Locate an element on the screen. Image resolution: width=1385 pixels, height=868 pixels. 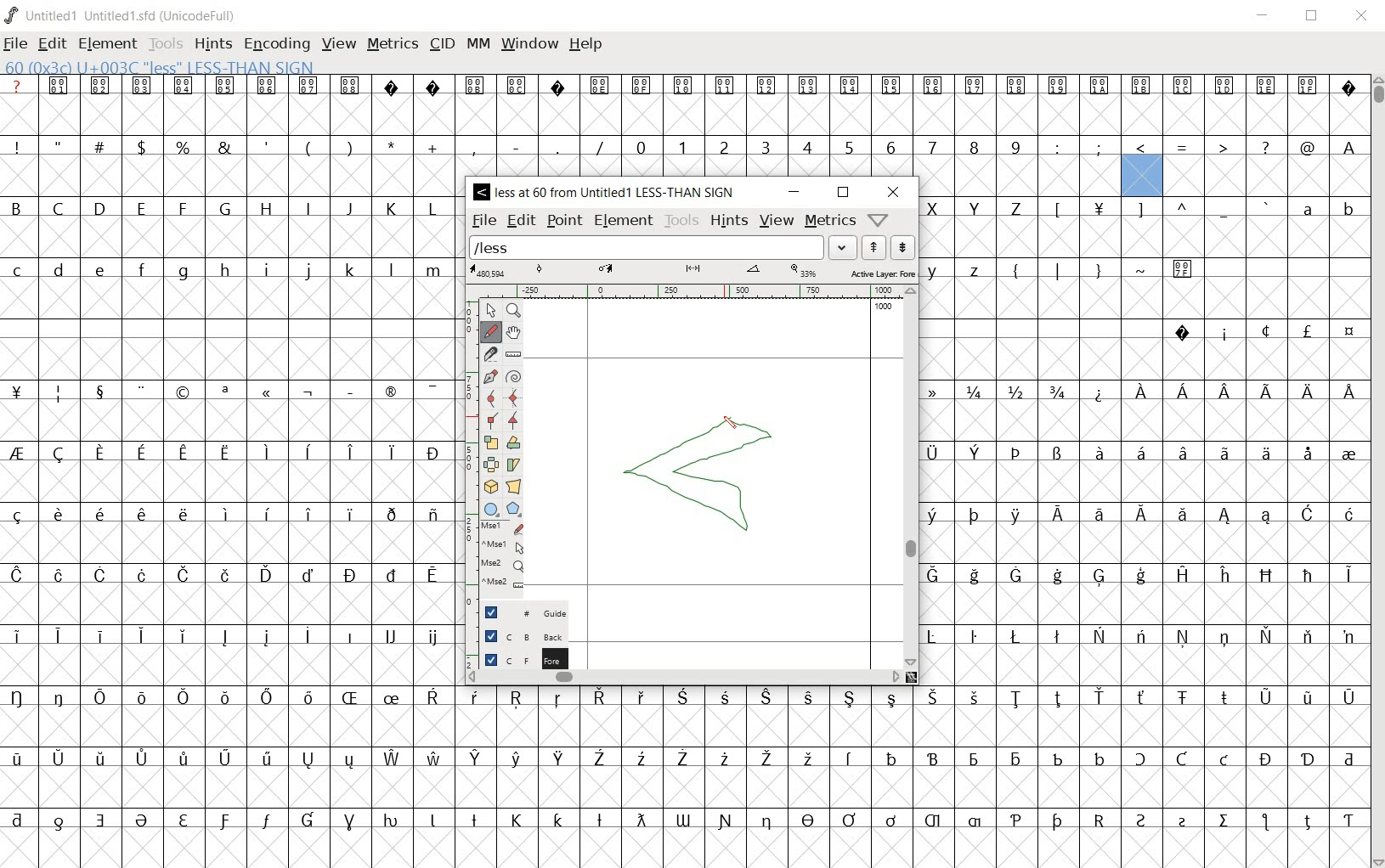
empty cells is located at coordinates (229, 176).